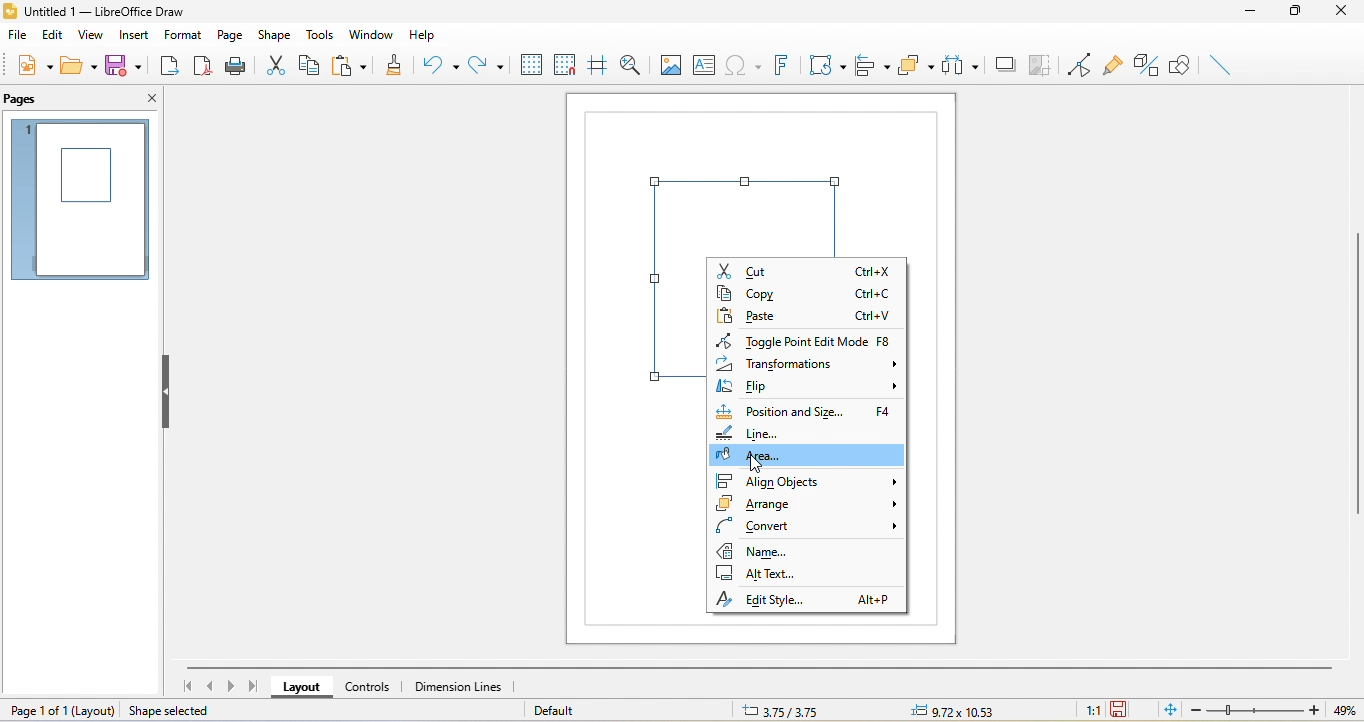  What do you see at coordinates (809, 315) in the screenshot?
I see `paste` at bounding box center [809, 315].